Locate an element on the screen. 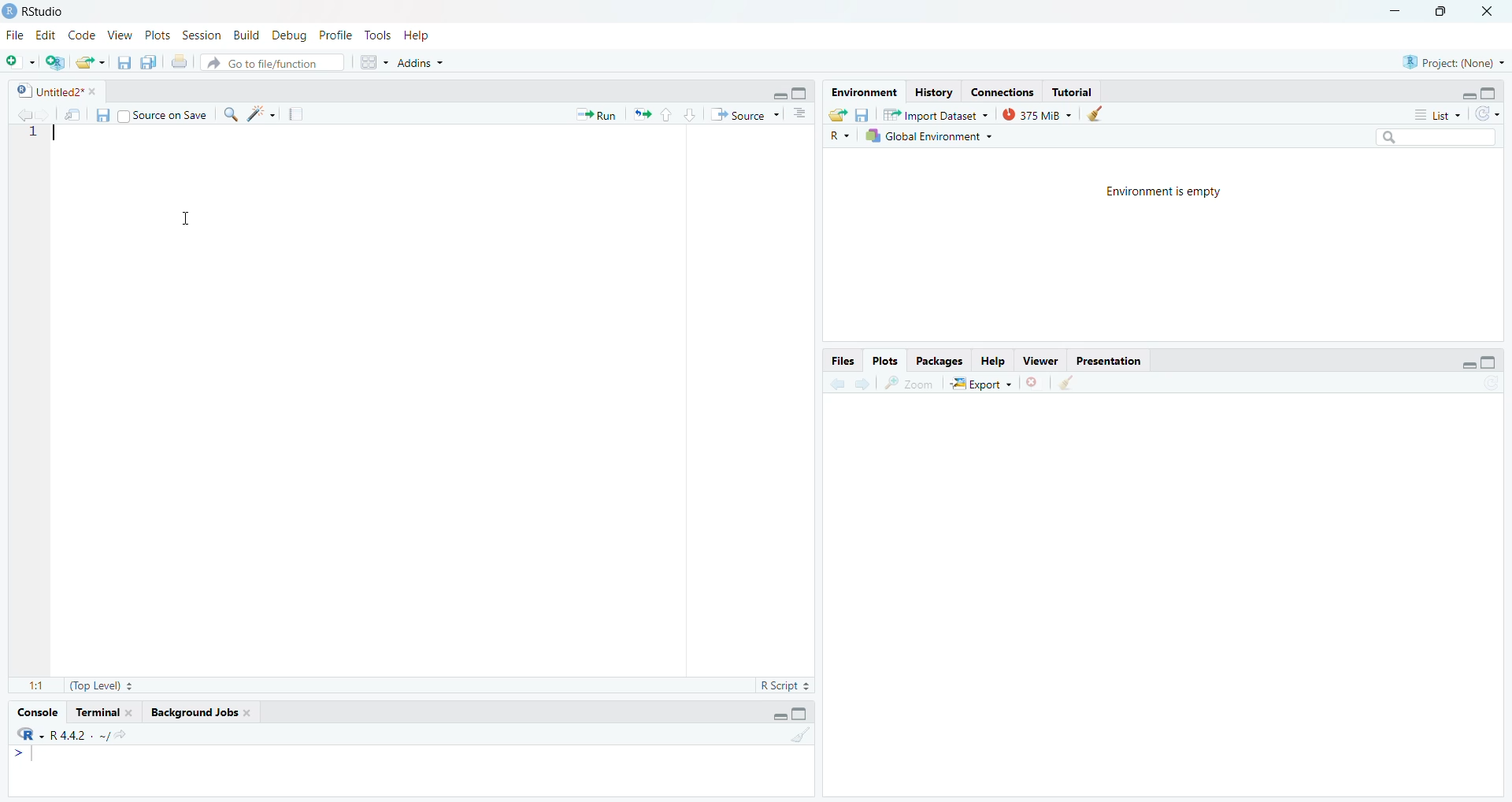 Image resolution: width=1512 pixels, height=802 pixels. 1:1 is located at coordinates (36, 685).